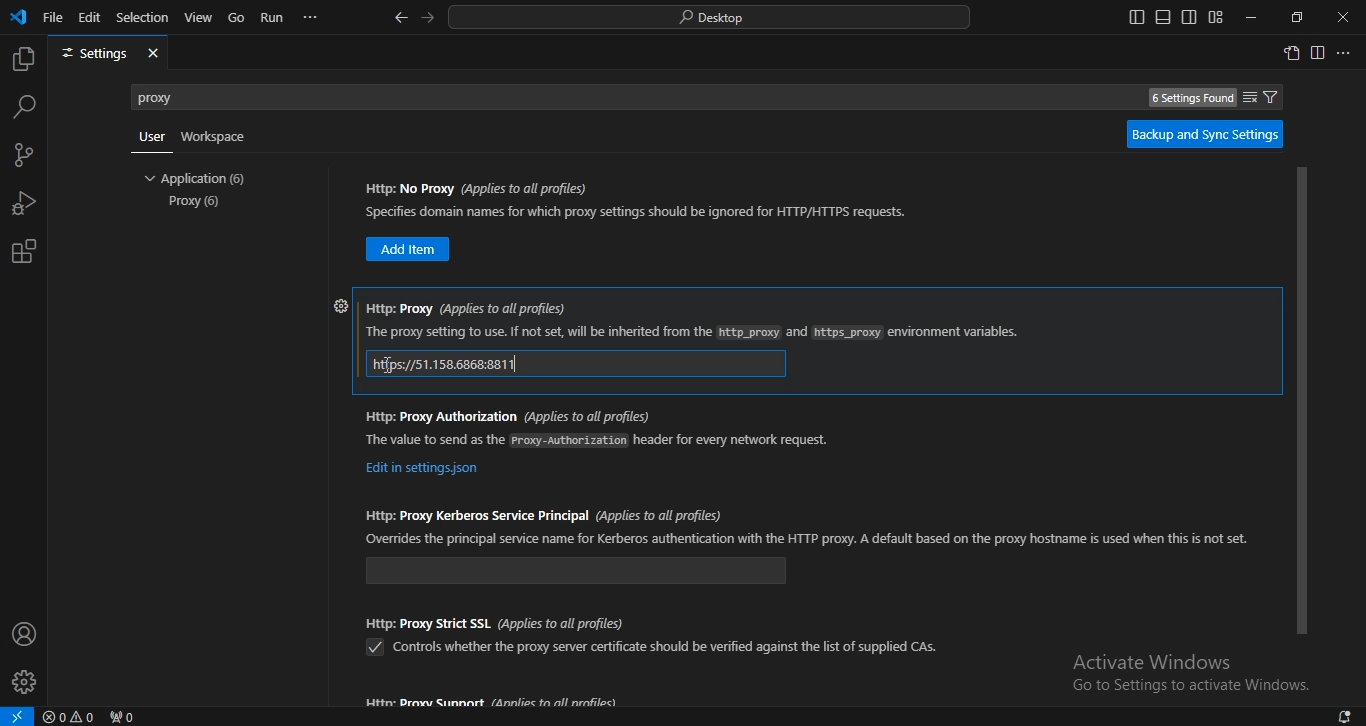 This screenshot has height=726, width=1366. I want to click on No ports forwarded, so click(125, 715).